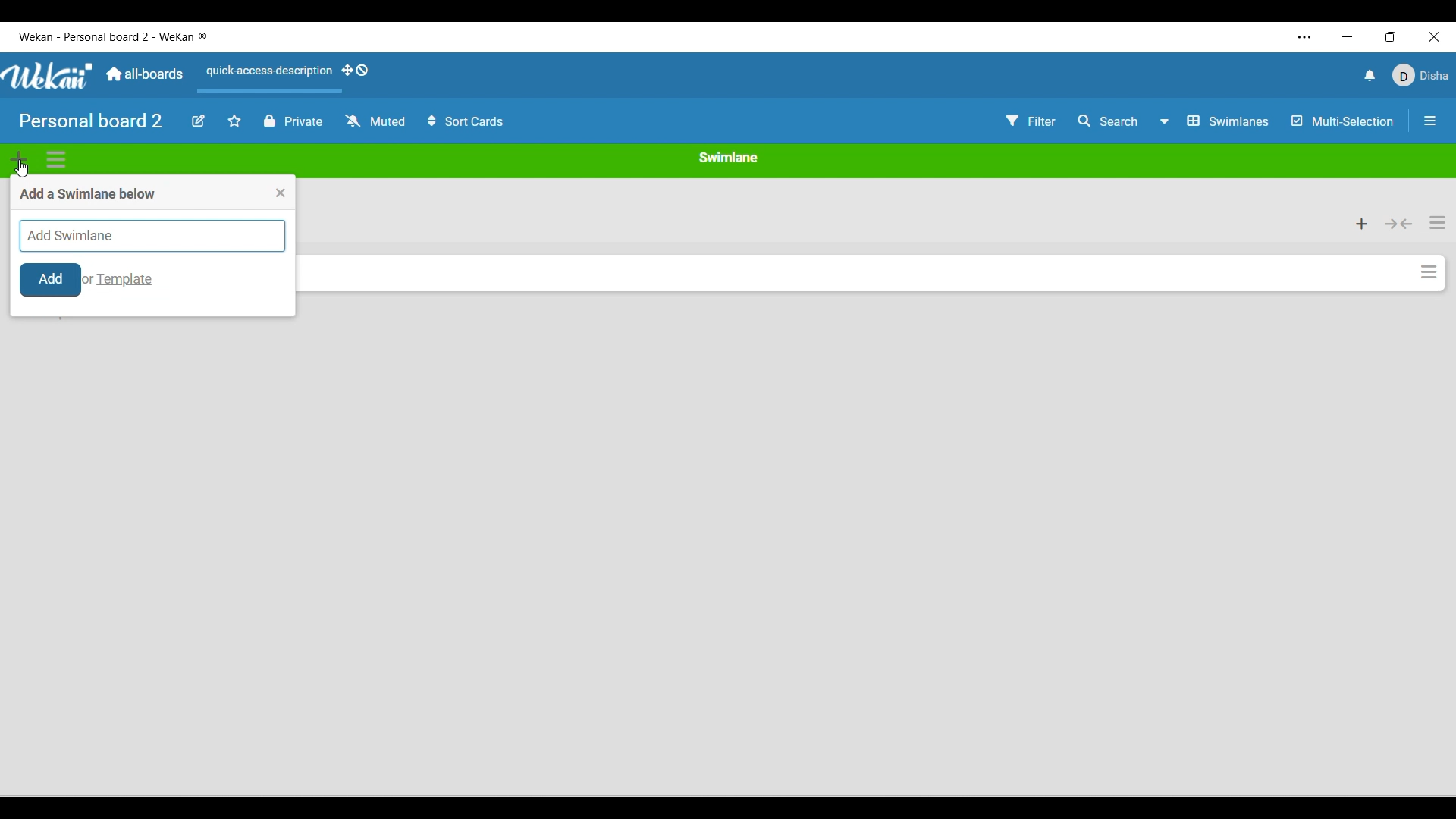  What do you see at coordinates (376, 120) in the screenshot?
I see `Change watch options` at bounding box center [376, 120].